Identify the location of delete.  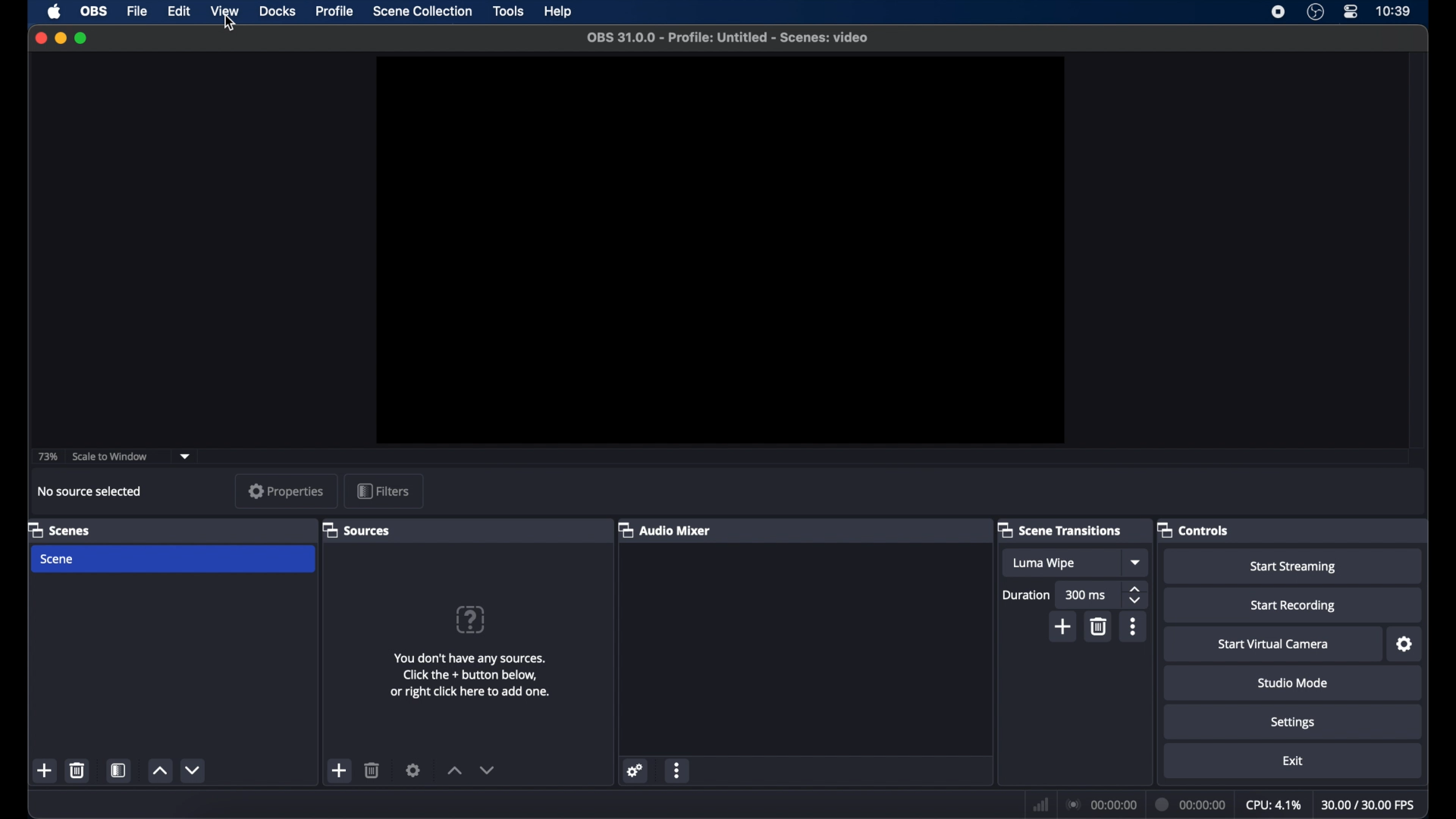
(1097, 626).